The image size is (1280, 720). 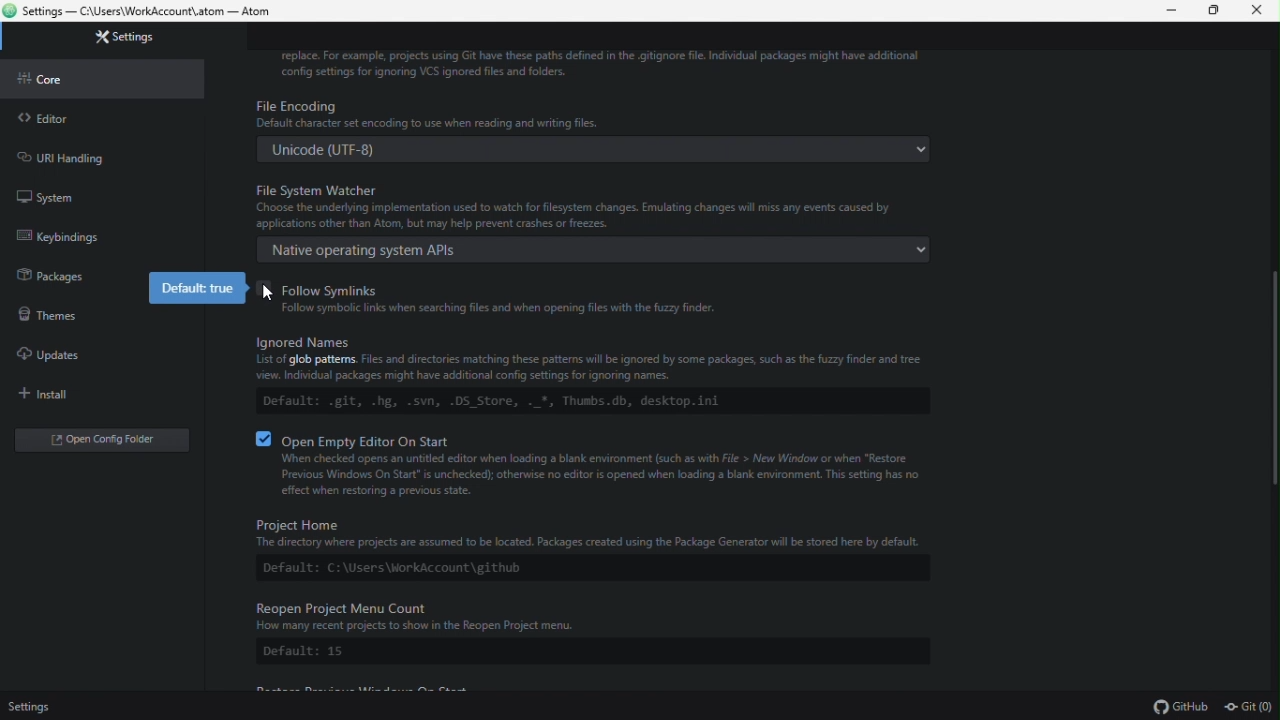 I want to click on install, so click(x=93, y=393).